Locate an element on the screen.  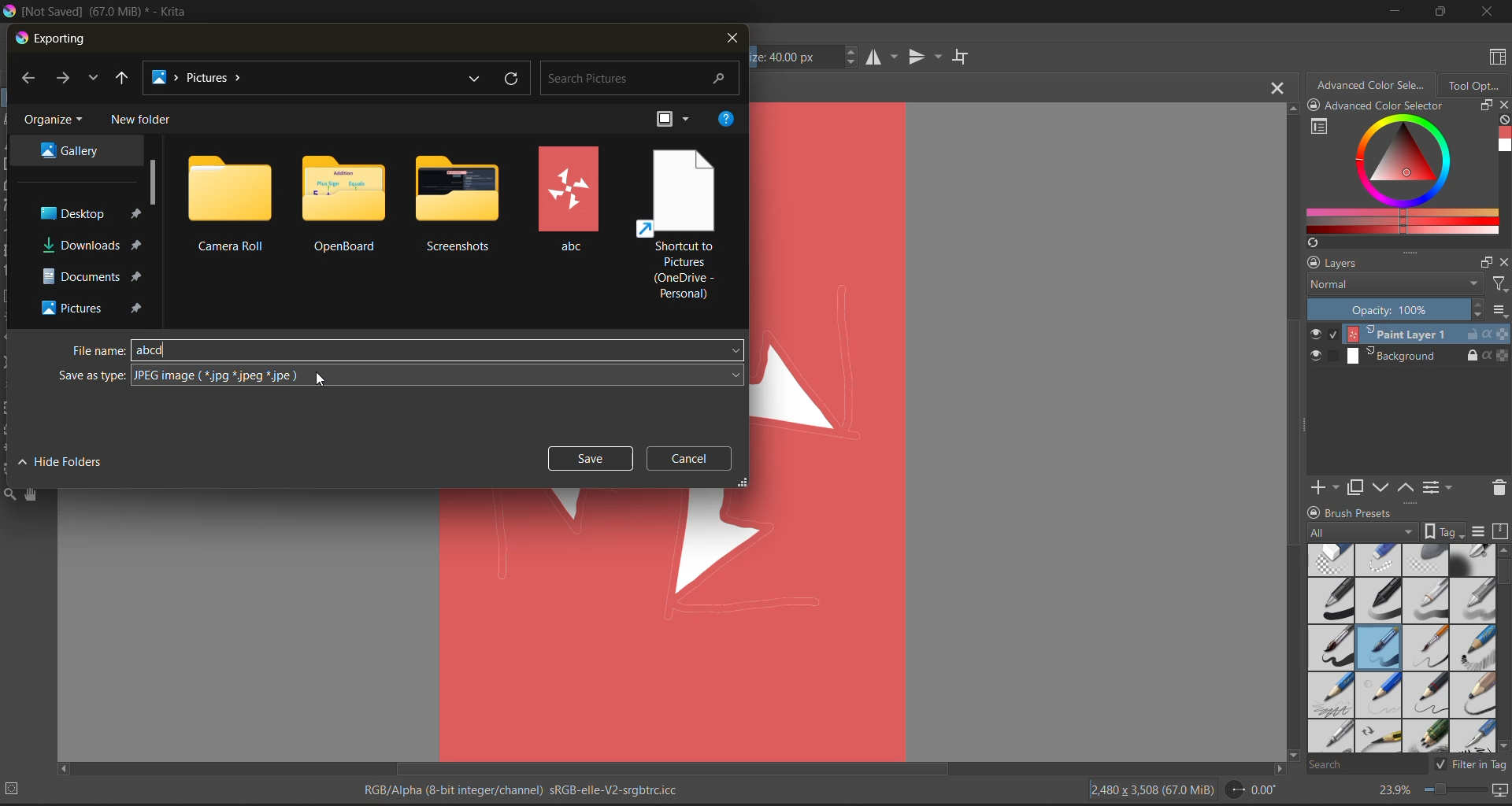
image description is located at coordinates (1155, 790).